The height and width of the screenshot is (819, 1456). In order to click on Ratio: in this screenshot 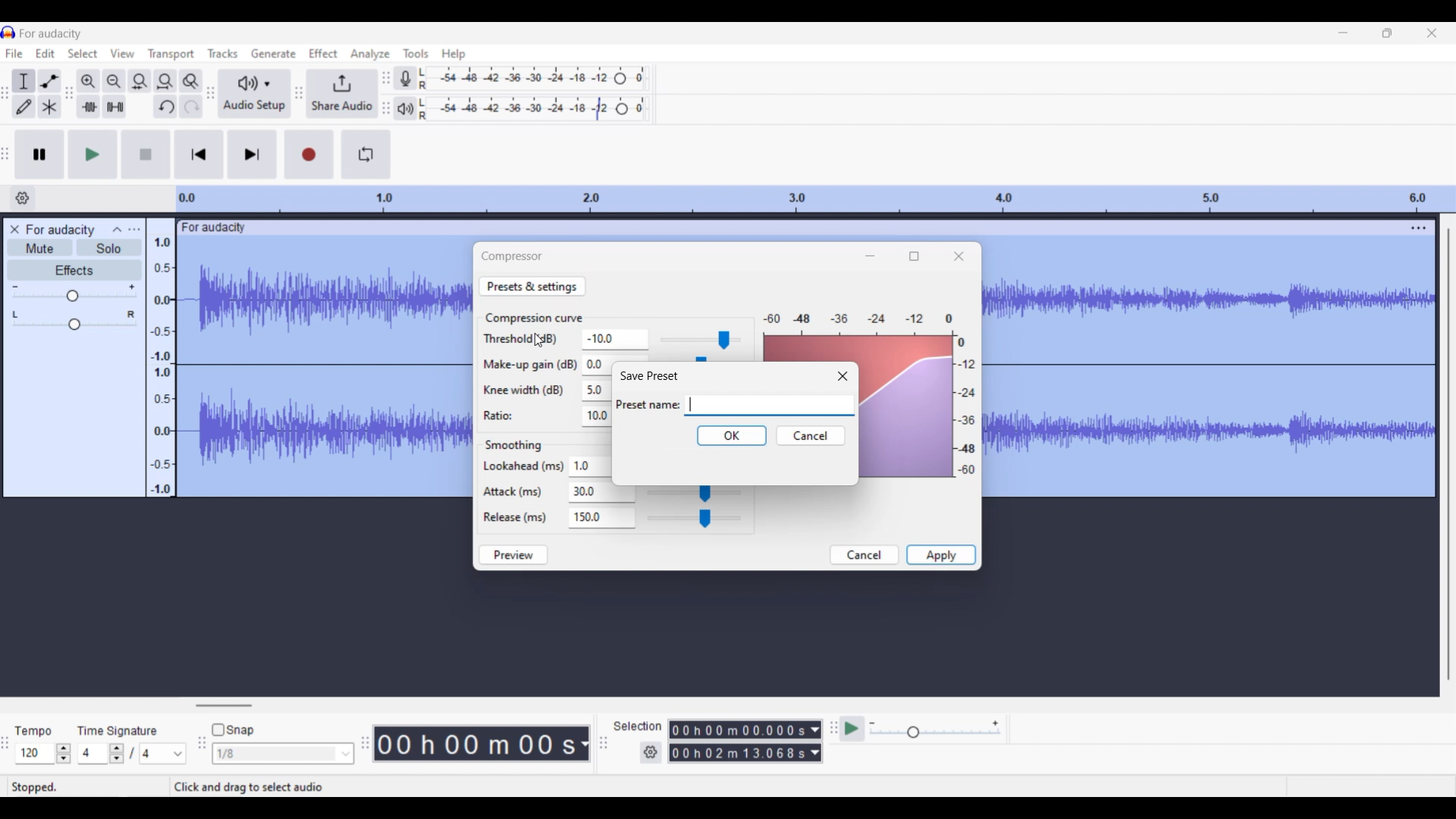, I will do `click(513, 416)`.